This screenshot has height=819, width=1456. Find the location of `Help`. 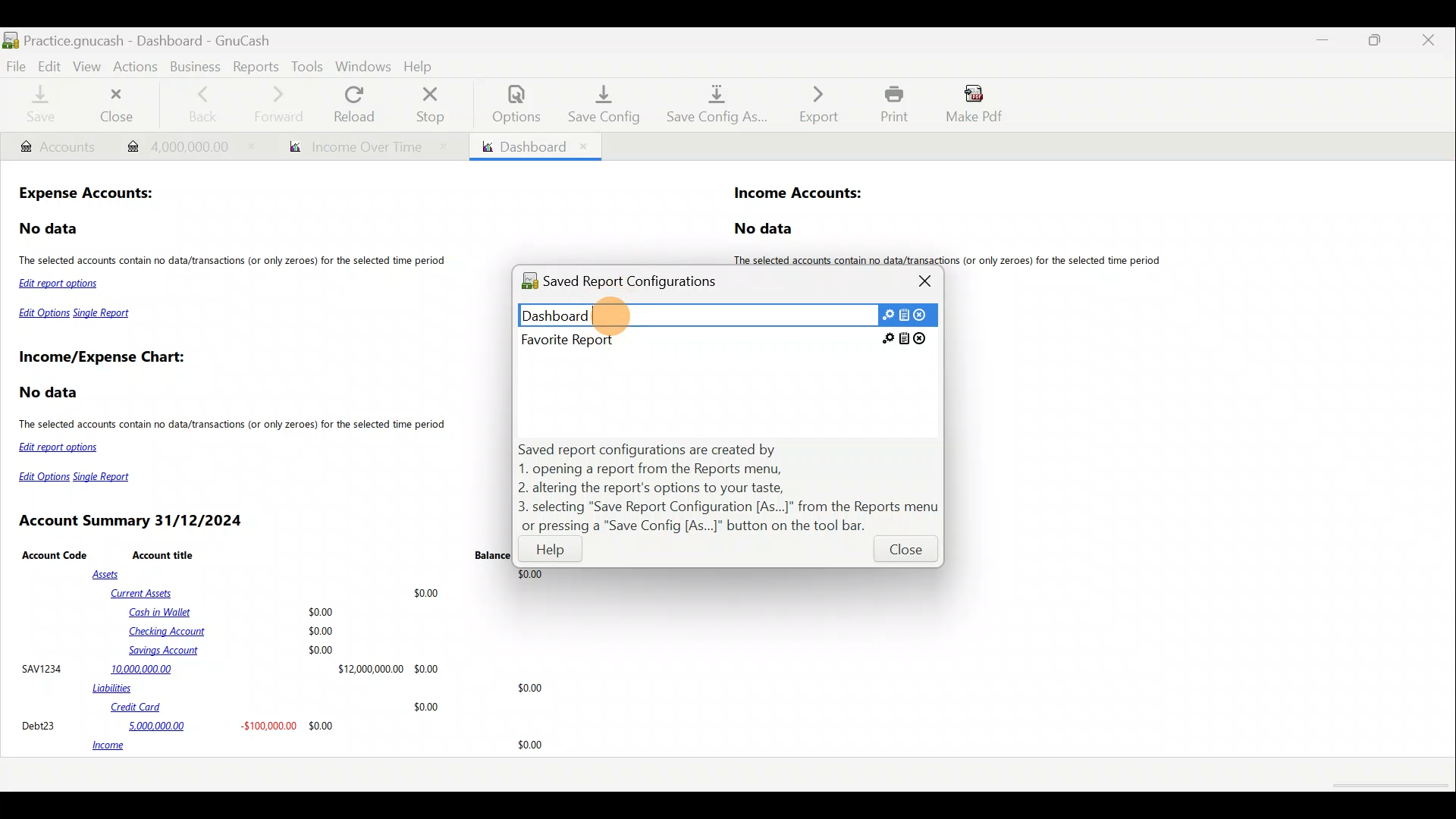

Help is located at coordinates (551, 553).